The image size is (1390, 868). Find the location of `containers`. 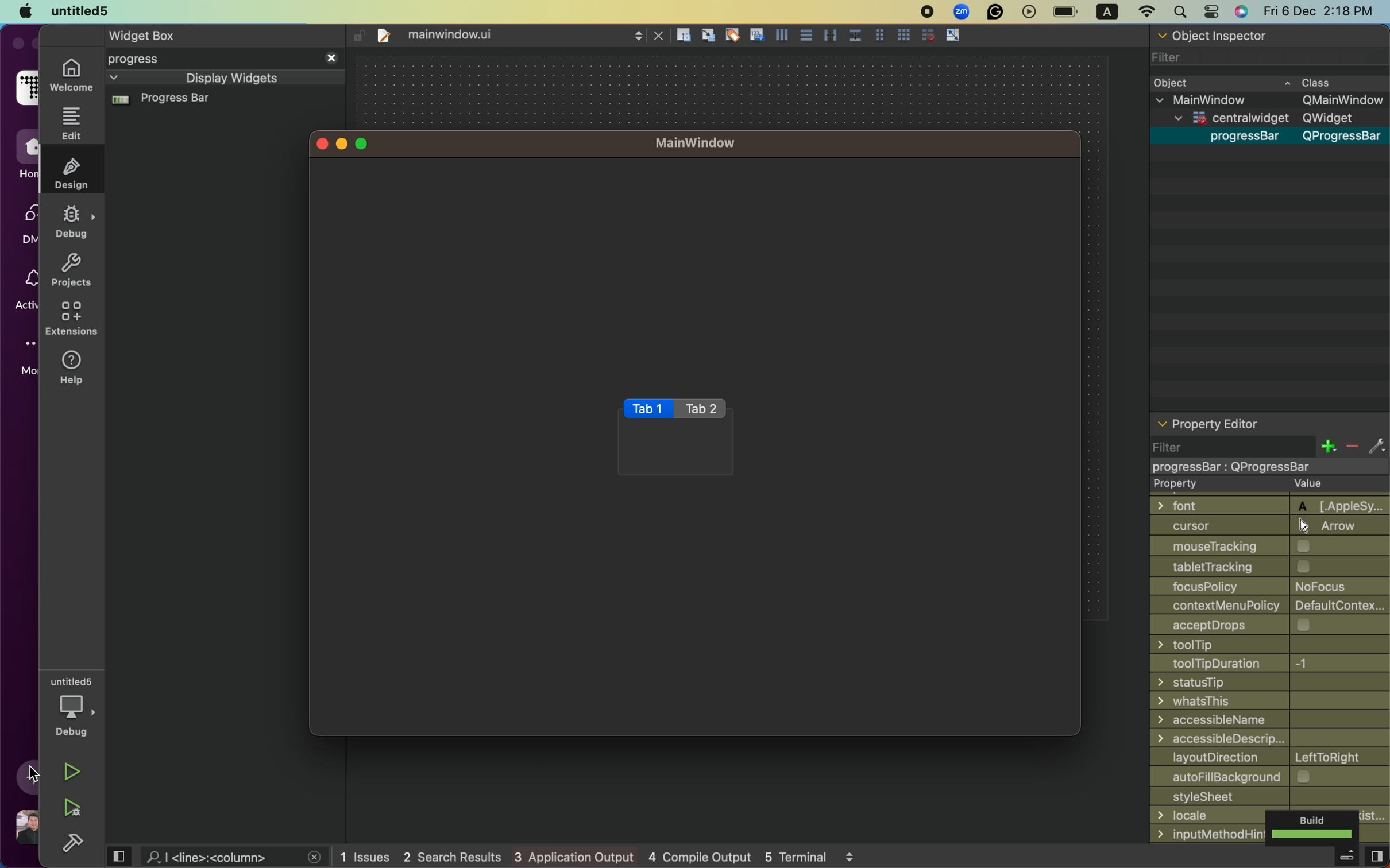

containers is located at coordinates (193, 57).